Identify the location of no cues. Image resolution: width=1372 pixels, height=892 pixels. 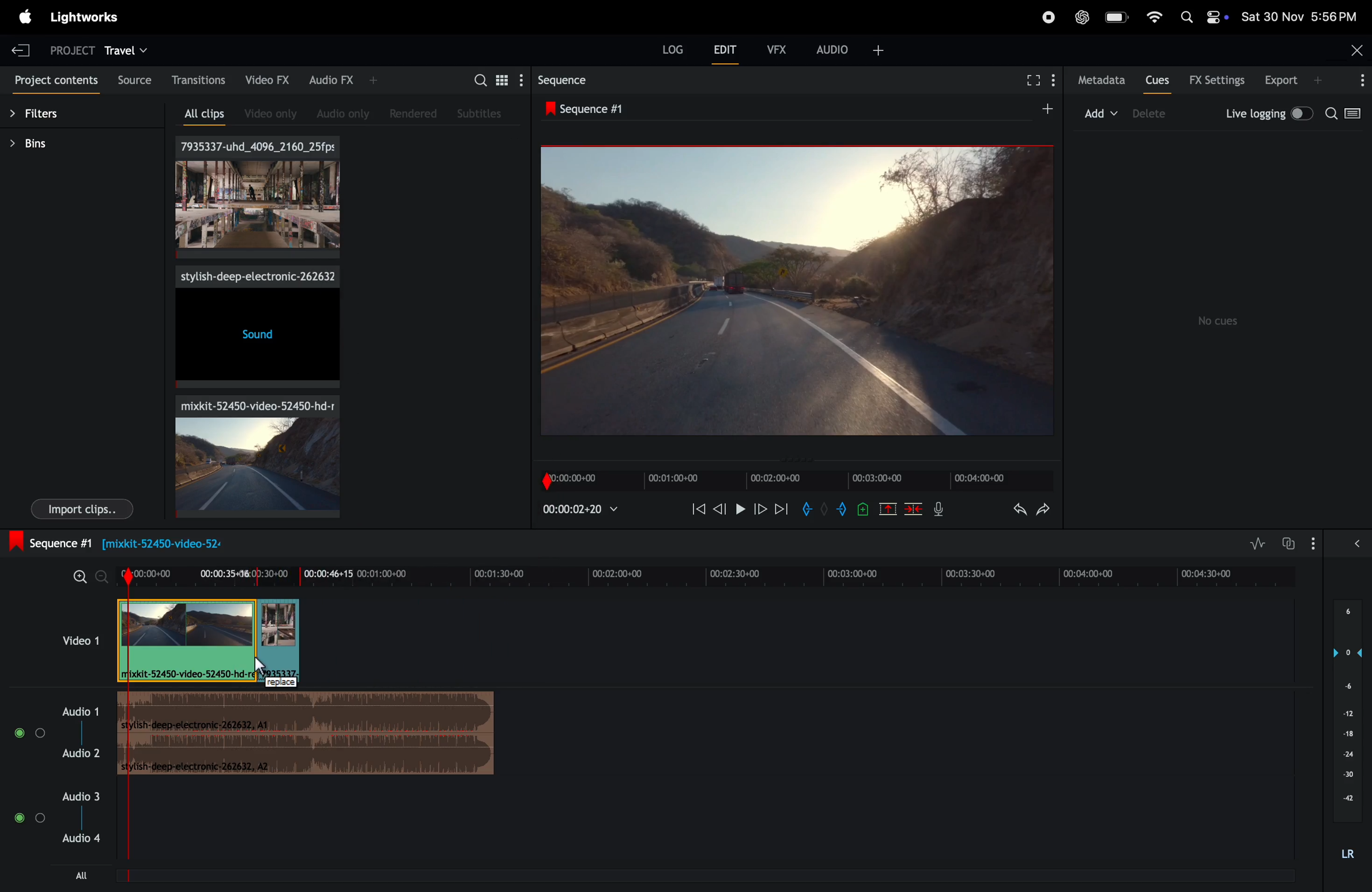
(1220, 321).